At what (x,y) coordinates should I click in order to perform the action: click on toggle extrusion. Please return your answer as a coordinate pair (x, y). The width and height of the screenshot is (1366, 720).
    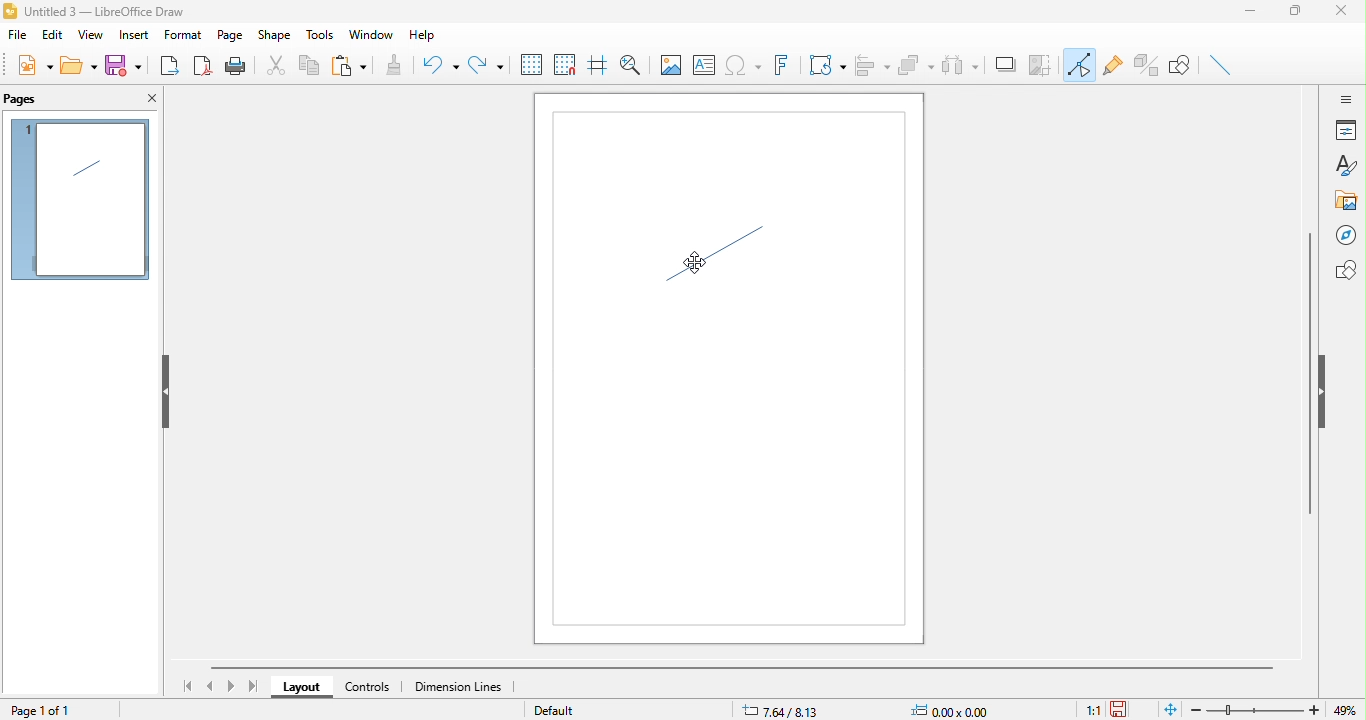
    Looking at the image, I should click on (1147, 64).